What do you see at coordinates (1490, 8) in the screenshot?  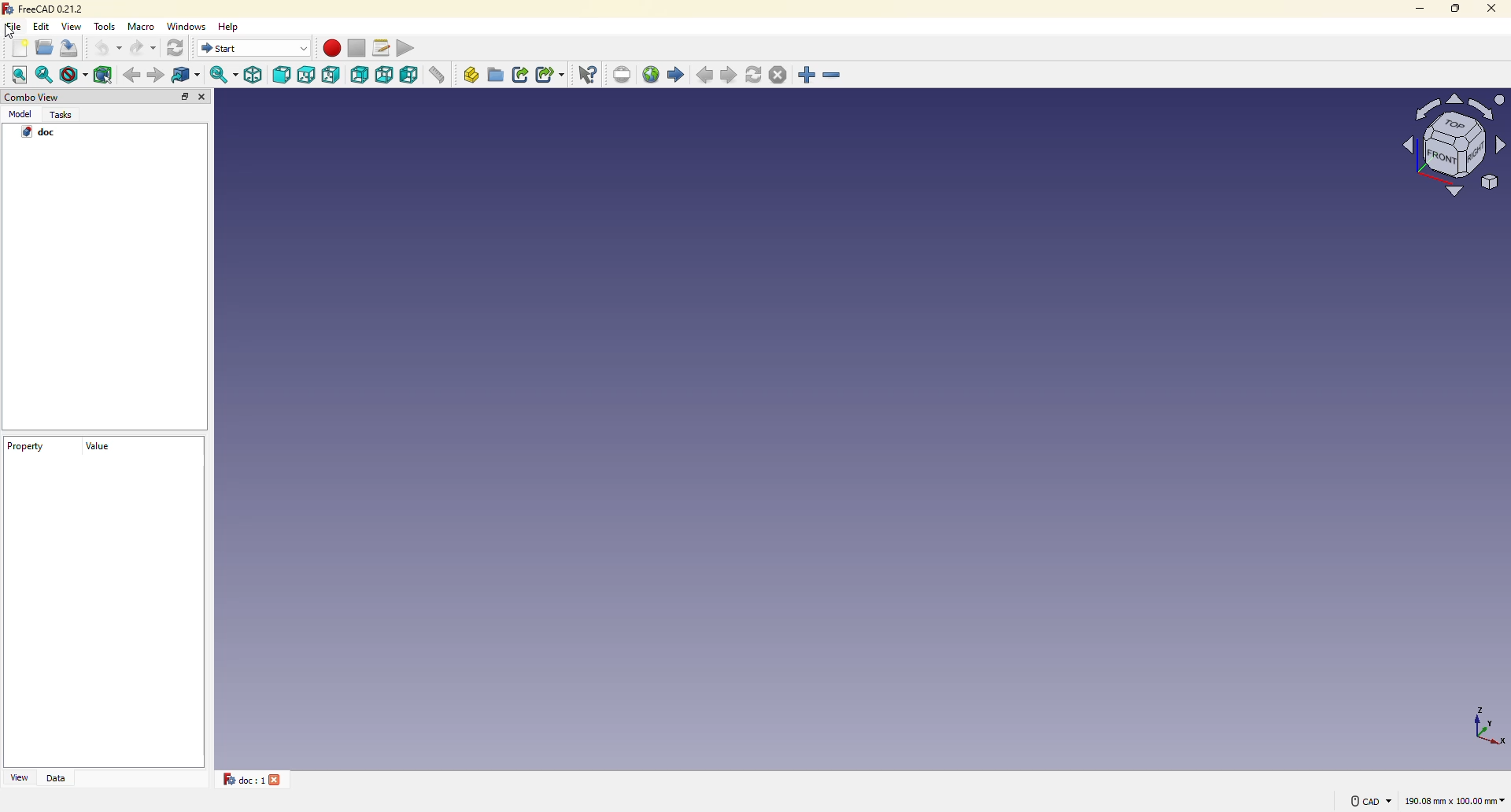 I see `close` at bounding box center [1490, 8].